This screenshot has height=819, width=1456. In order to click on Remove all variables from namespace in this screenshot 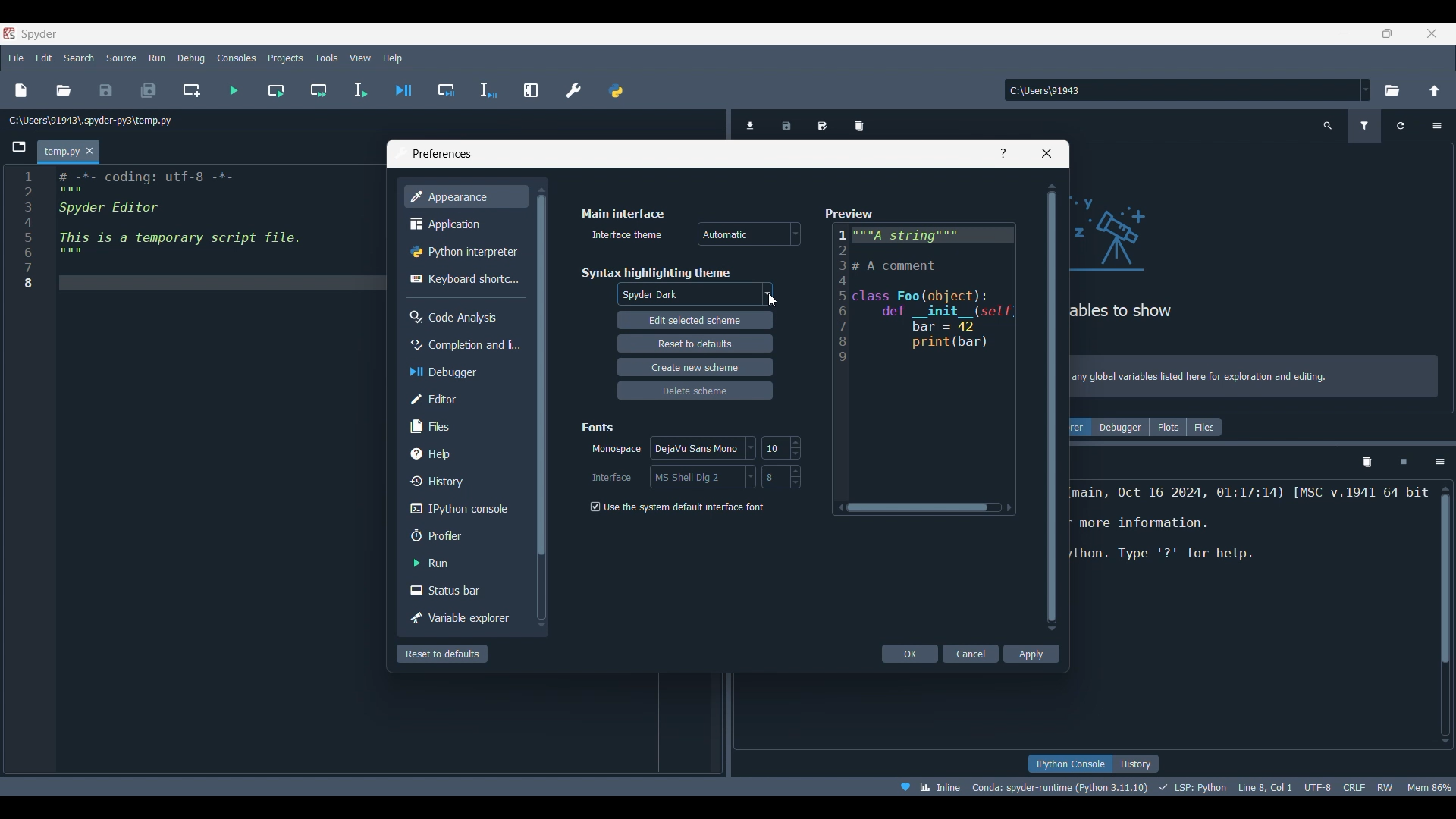, I will do `click(1367, 463)`.